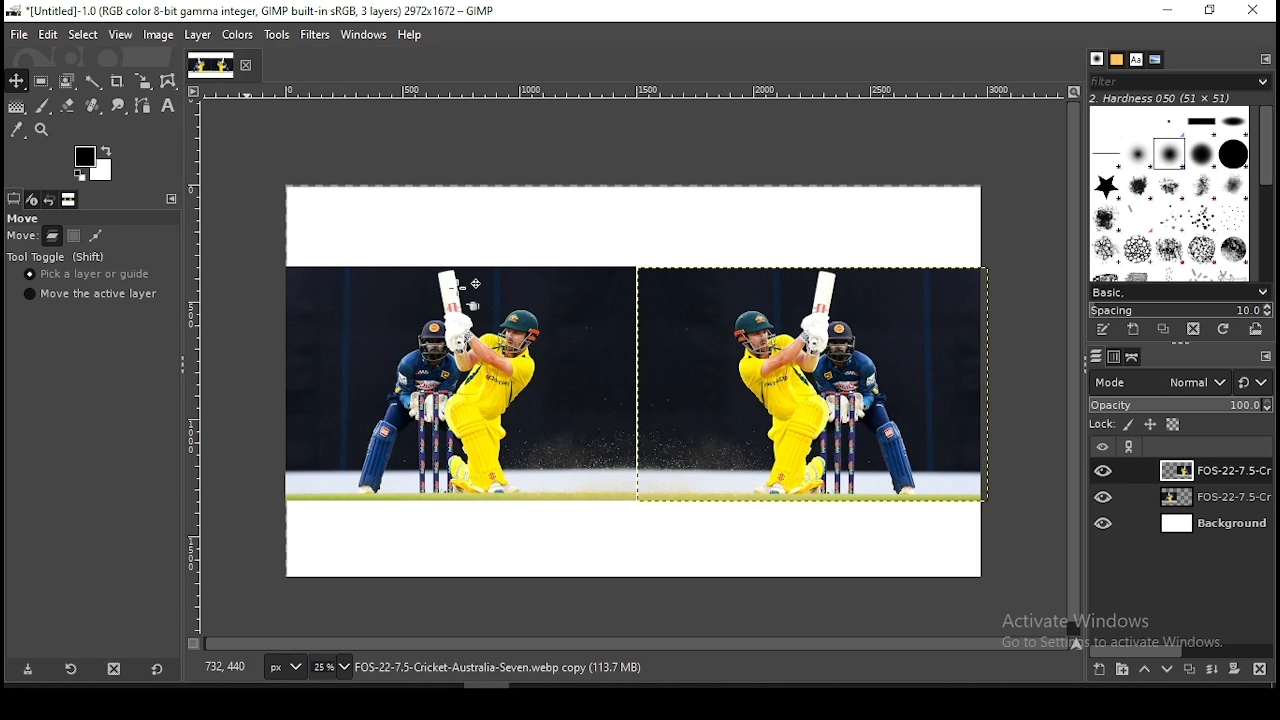  Describe the element at coordinates (1105, 521) in the screenshot. I see `layer visibility on/off` at that location.